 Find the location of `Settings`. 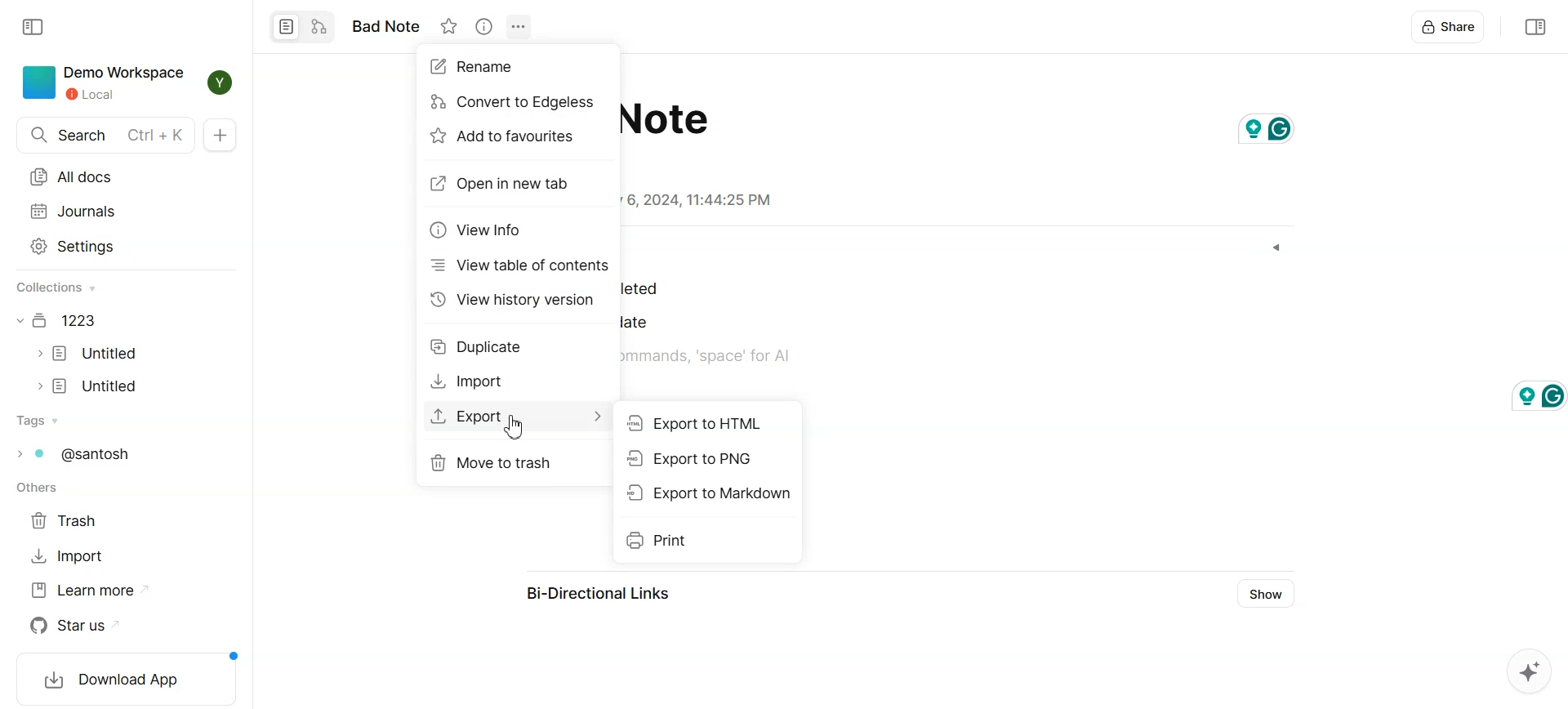

Settings is located at coordinates (104, 247).